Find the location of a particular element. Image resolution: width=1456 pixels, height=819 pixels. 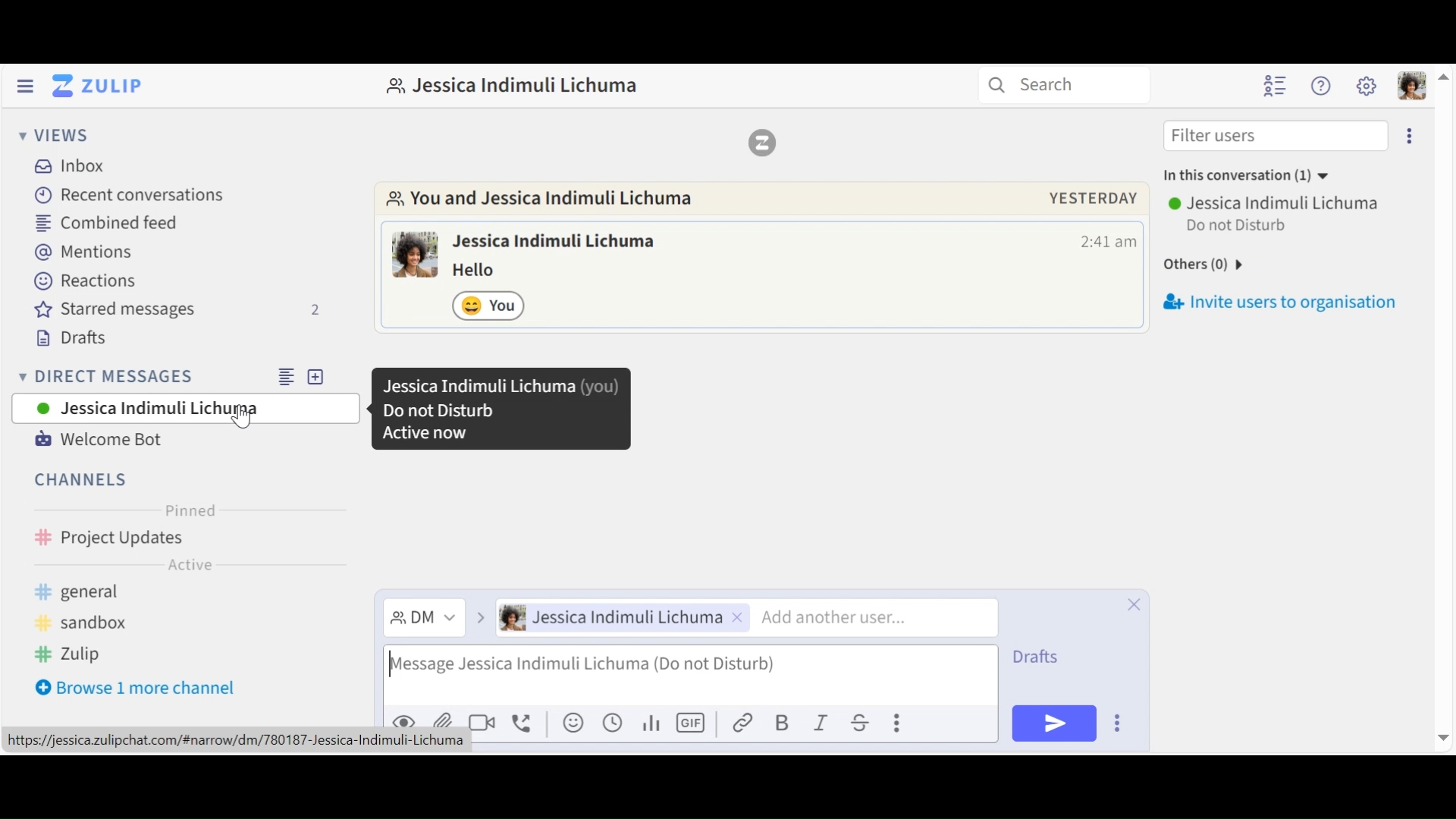

yesterday is located at coordinates (1090, 198).